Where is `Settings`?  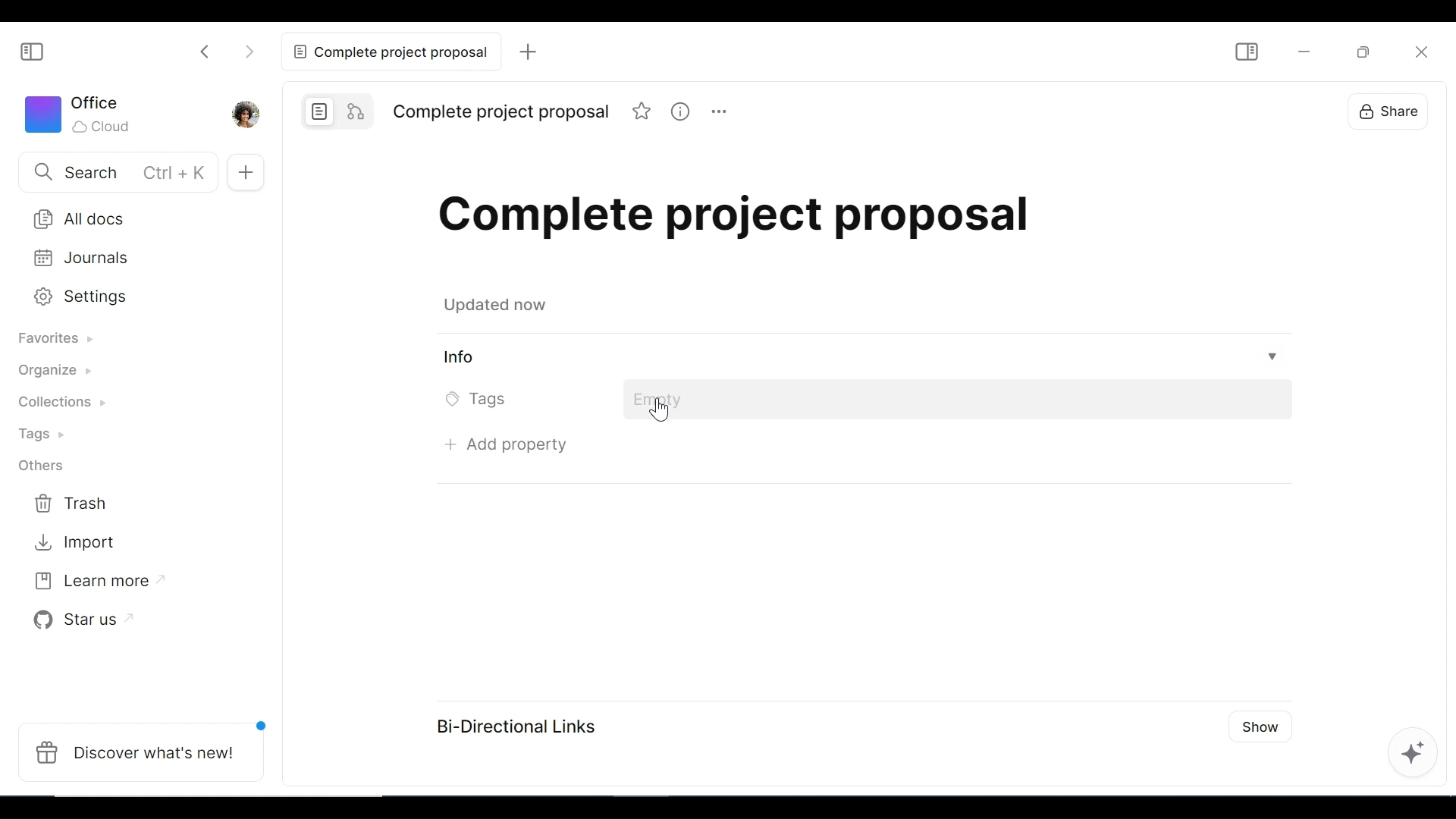 Settings is located at coordinates (128, 297).